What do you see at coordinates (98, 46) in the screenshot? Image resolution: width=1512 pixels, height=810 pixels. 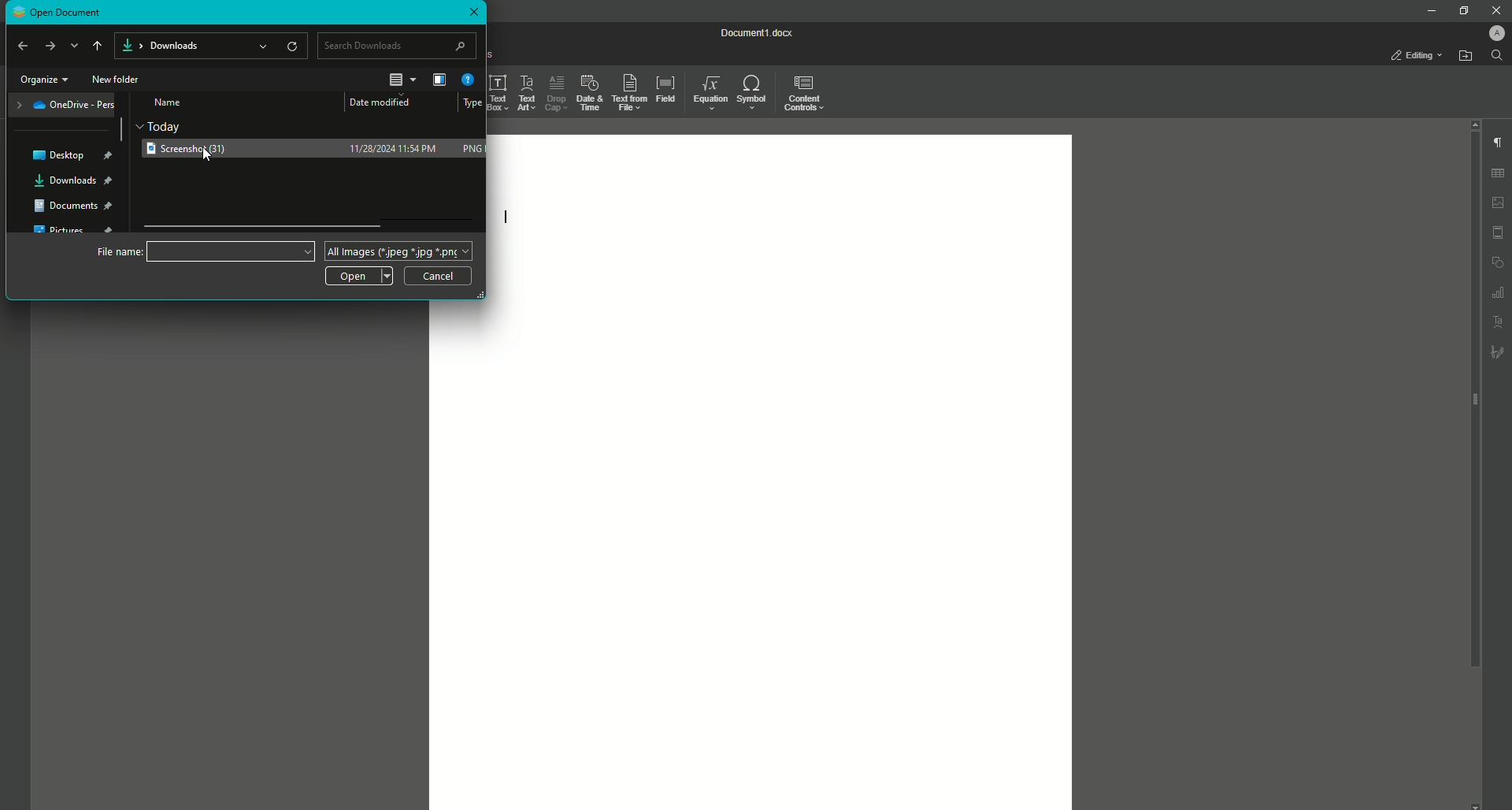 I see `Move up` at bounding box center [98, 46].